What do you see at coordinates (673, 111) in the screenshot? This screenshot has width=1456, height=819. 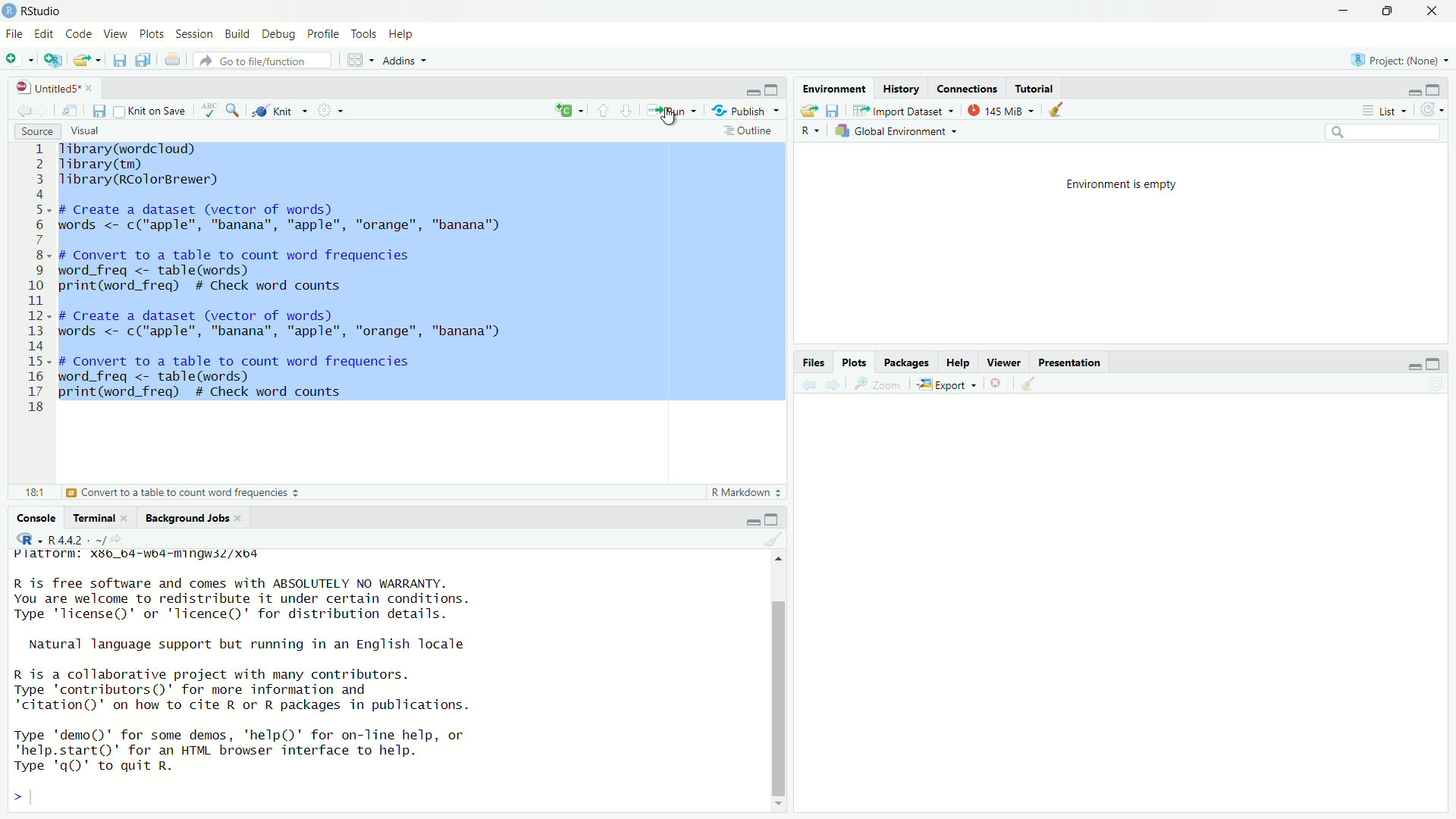 I see `Run` at bounding box center [673, 111].